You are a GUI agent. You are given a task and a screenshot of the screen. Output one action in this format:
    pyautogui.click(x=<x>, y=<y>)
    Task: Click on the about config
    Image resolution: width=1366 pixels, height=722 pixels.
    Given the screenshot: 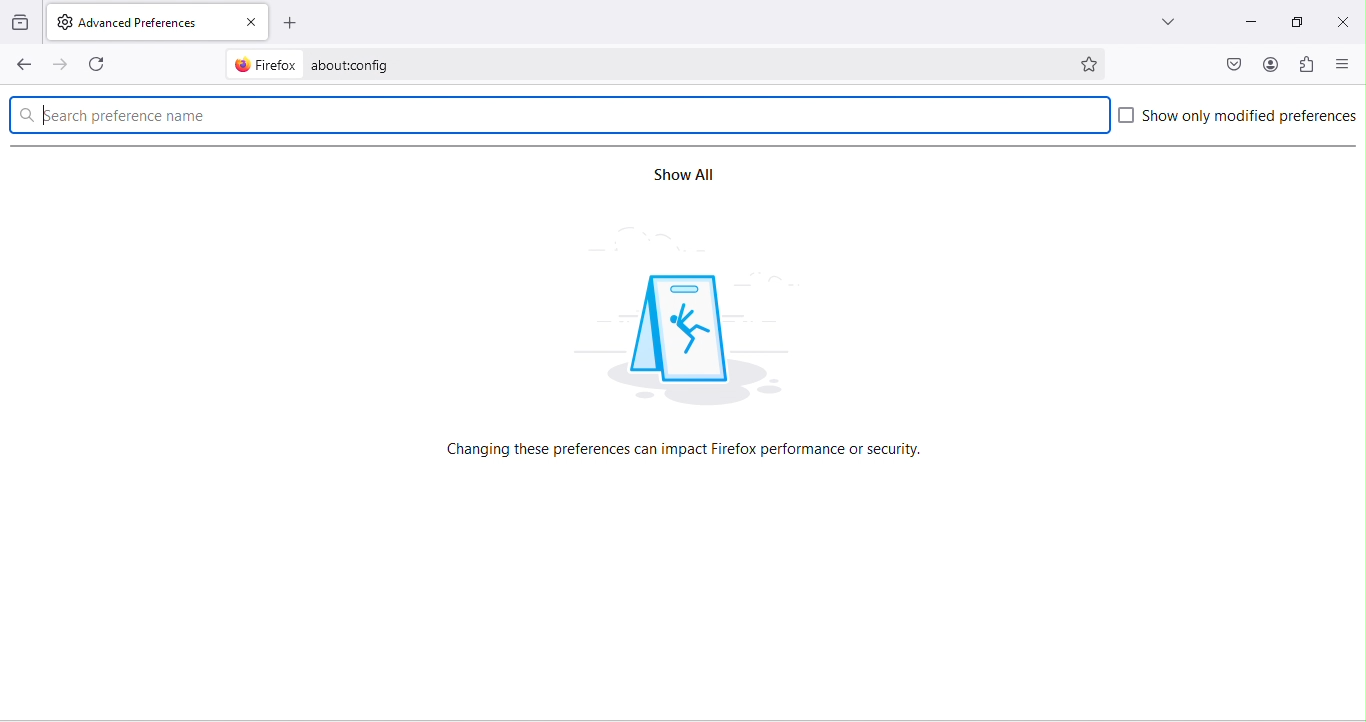 What is the action you would take?
    pyautogui.click(x=636, y=64)
    